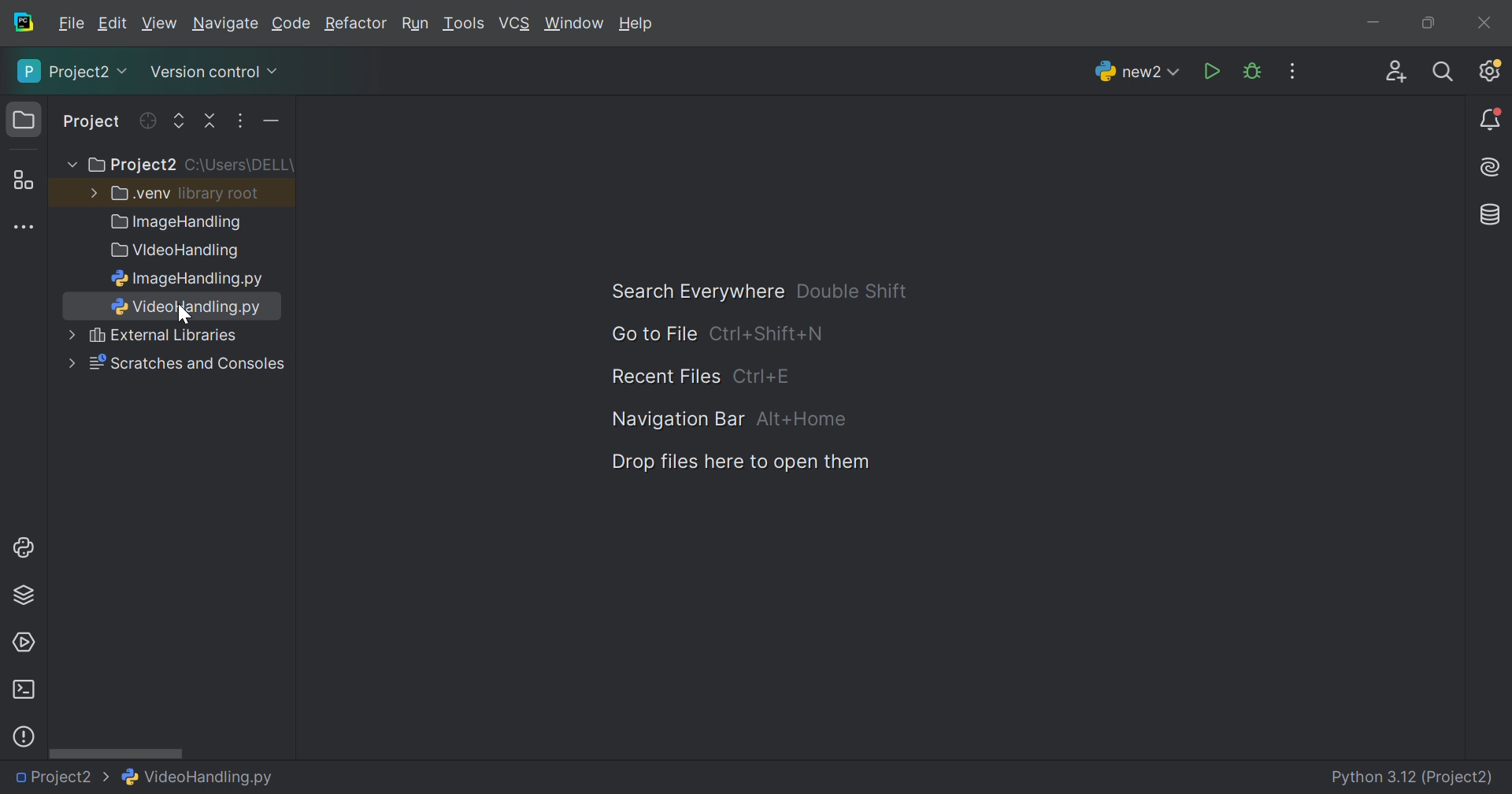 This screenshot has height=794, width=1512. I want to click on Scroll bar, so click(116, 752).